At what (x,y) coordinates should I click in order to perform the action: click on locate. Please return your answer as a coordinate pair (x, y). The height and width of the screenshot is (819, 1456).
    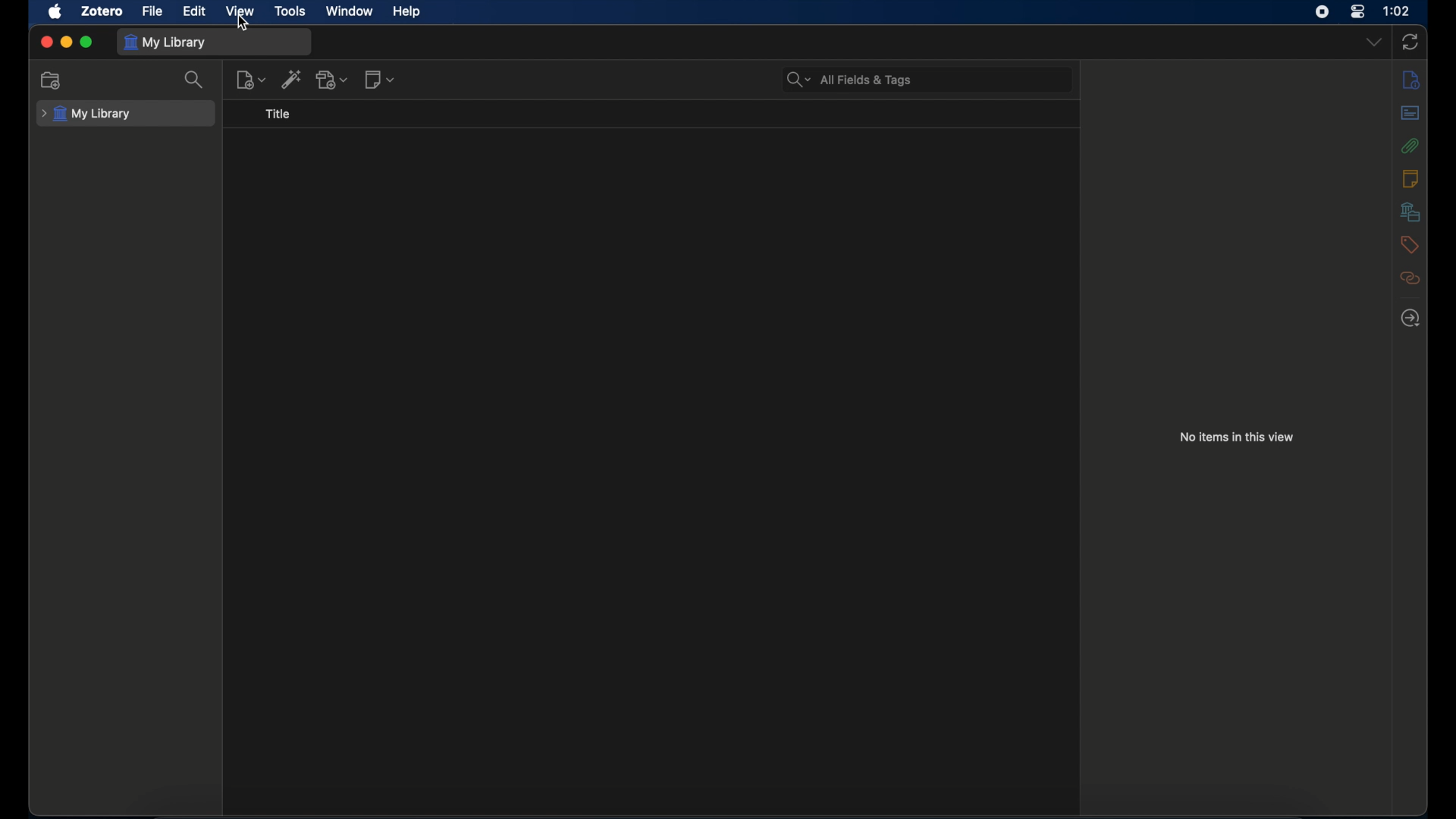
    Looking at the image, I should click on (1411, 318).